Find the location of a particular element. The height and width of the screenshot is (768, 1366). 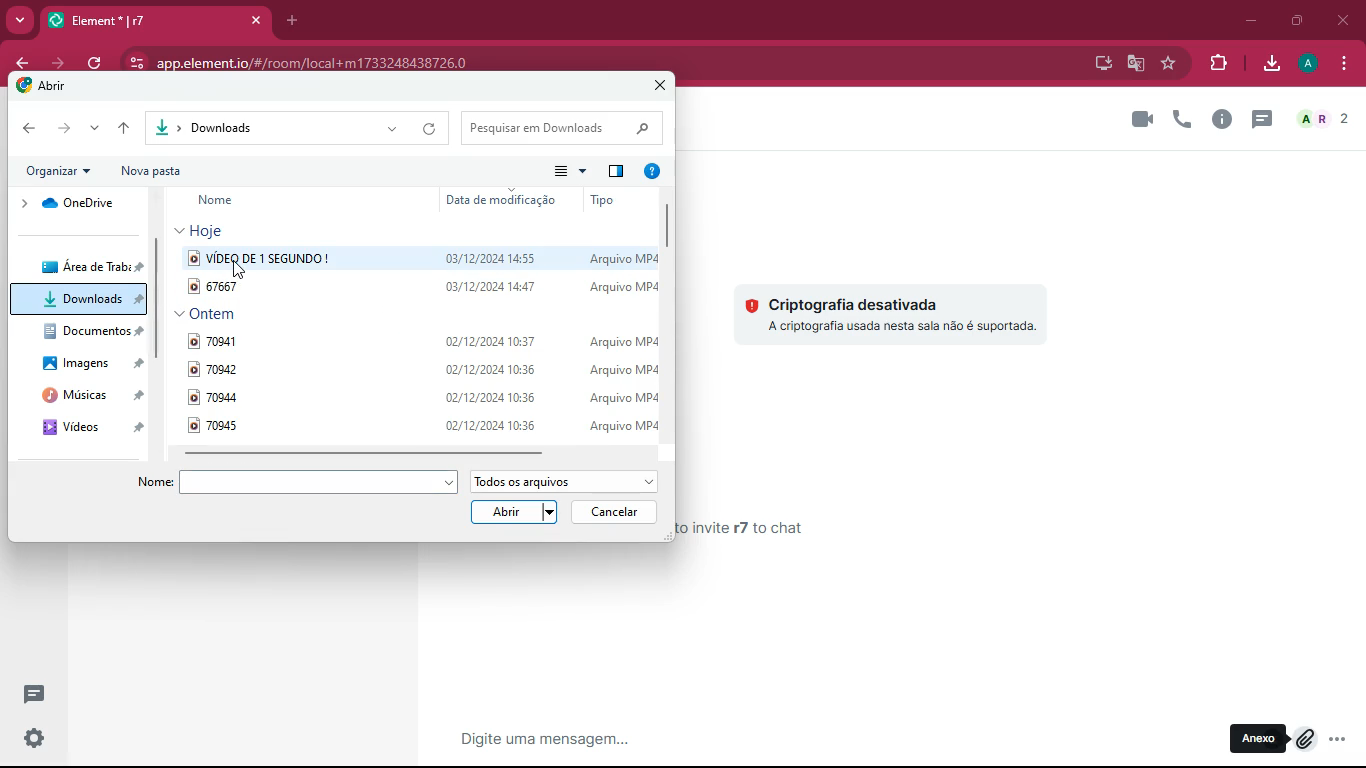

70945 02/12/2024 10:36 arquivo mp4 is located at coordinates (419, 427).